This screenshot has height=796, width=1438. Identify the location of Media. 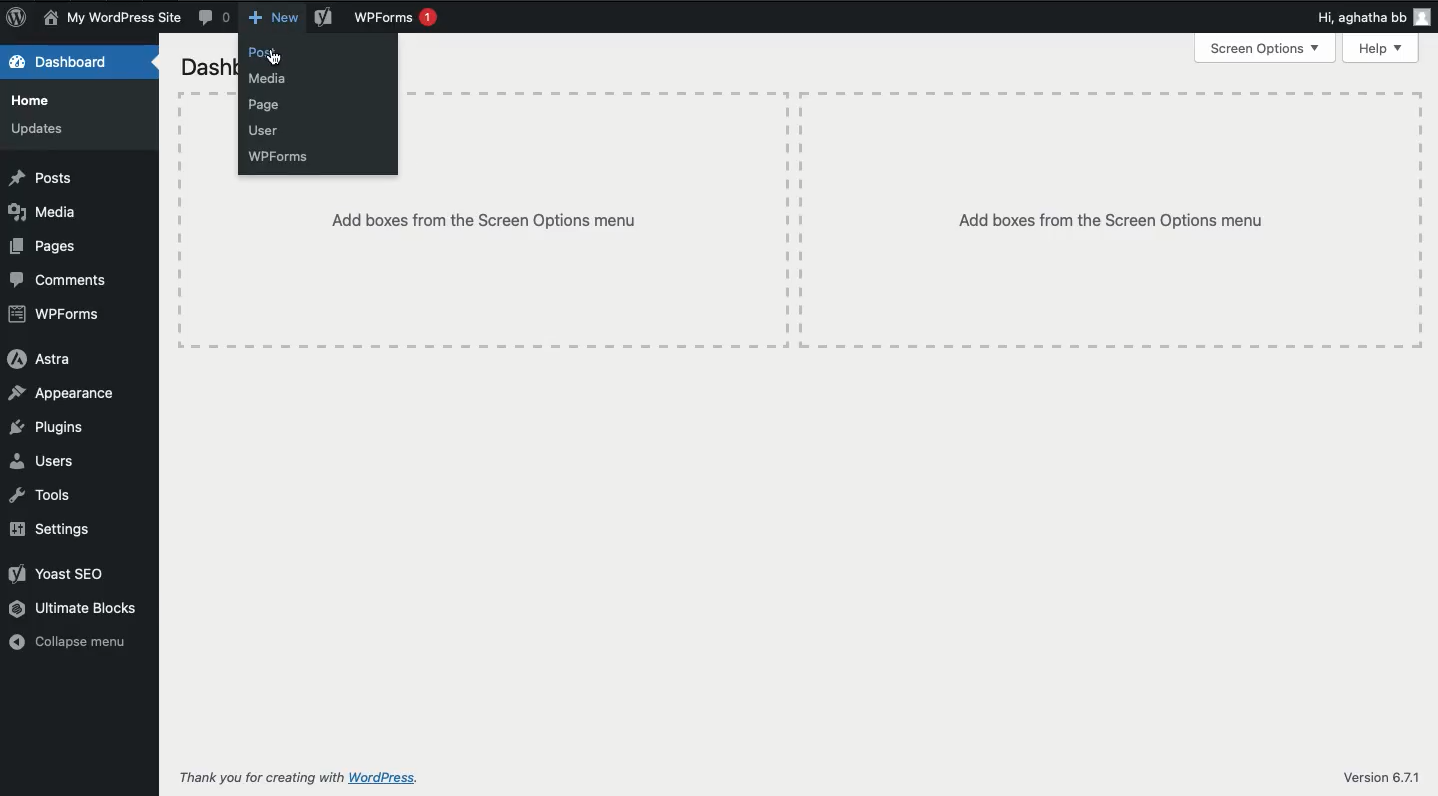
(46, 212).